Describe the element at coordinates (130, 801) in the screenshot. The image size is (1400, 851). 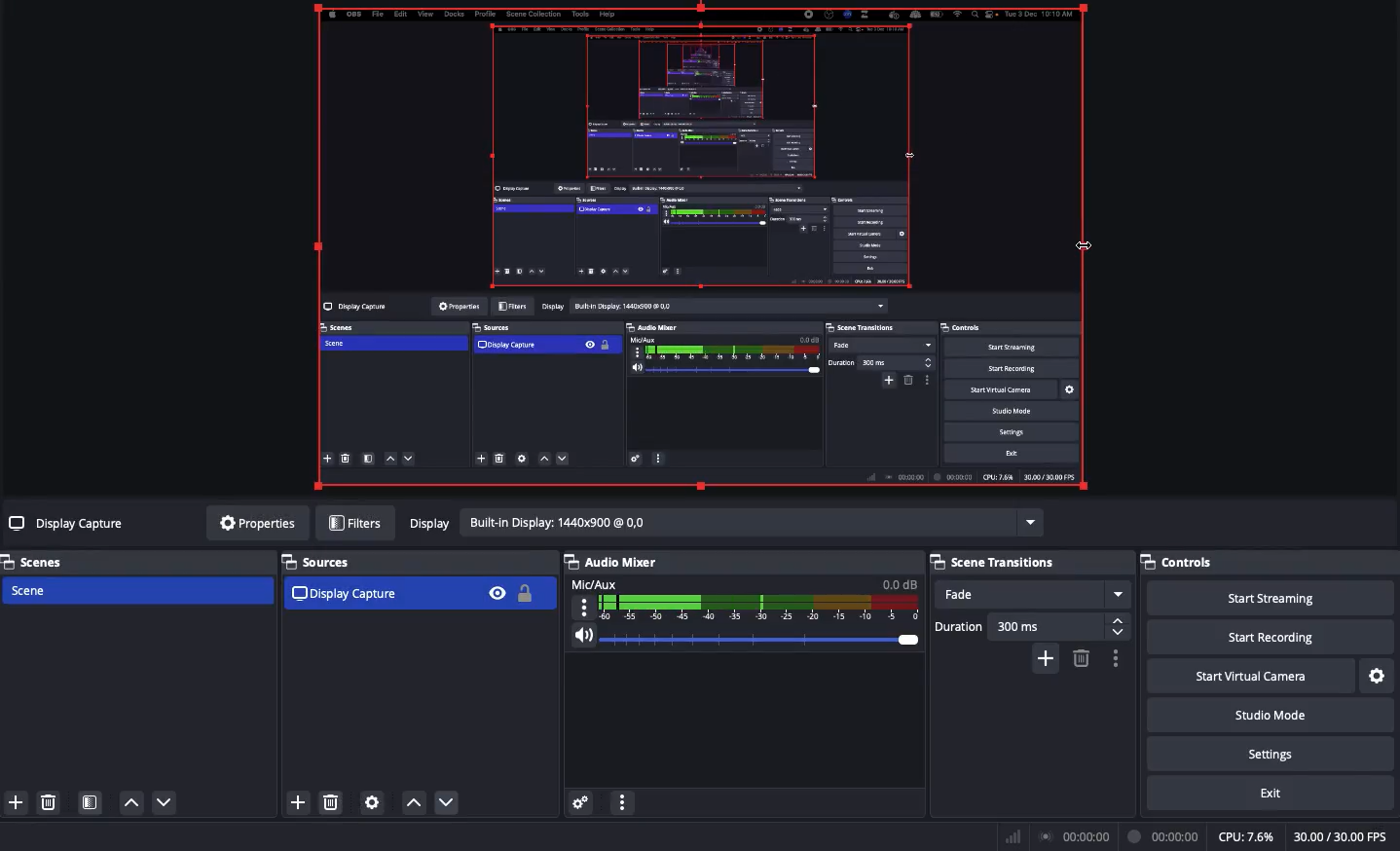
I see `Move up` at that location.